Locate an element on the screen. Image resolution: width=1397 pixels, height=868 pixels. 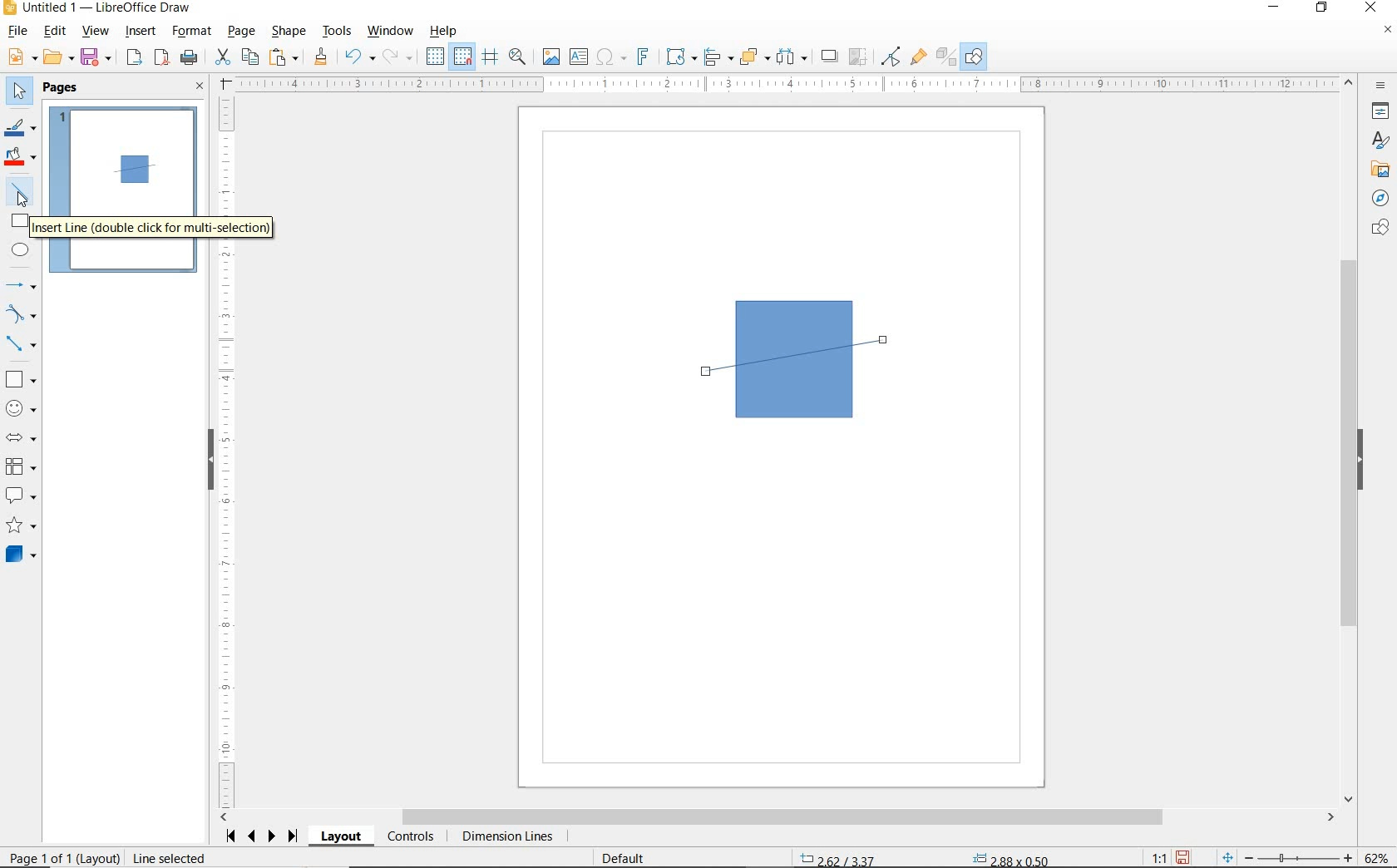
CROP IMAGE is located at coordinates (859, 57).